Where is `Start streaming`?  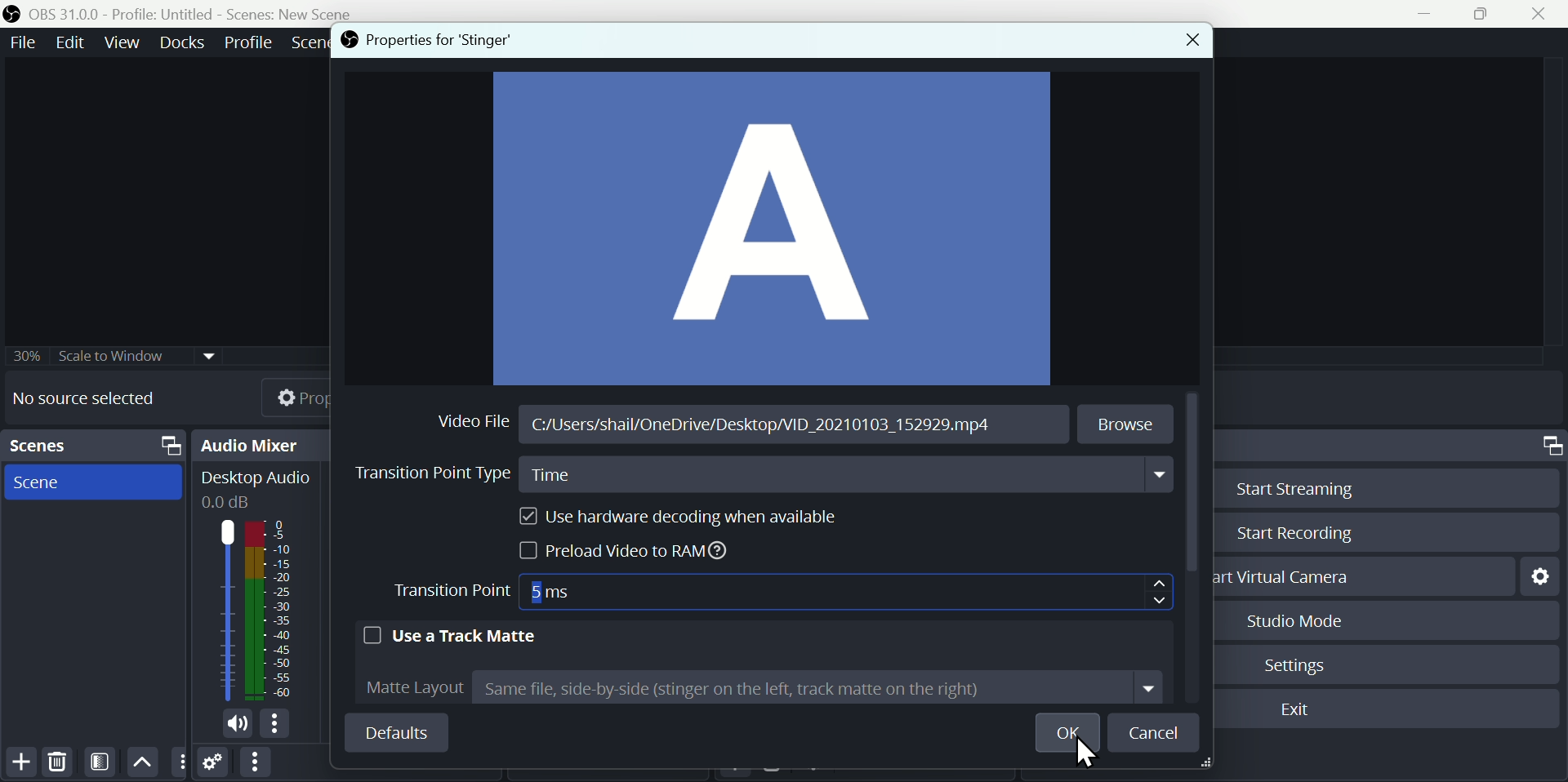
Start streaming is located at coordinates (1288, 487).